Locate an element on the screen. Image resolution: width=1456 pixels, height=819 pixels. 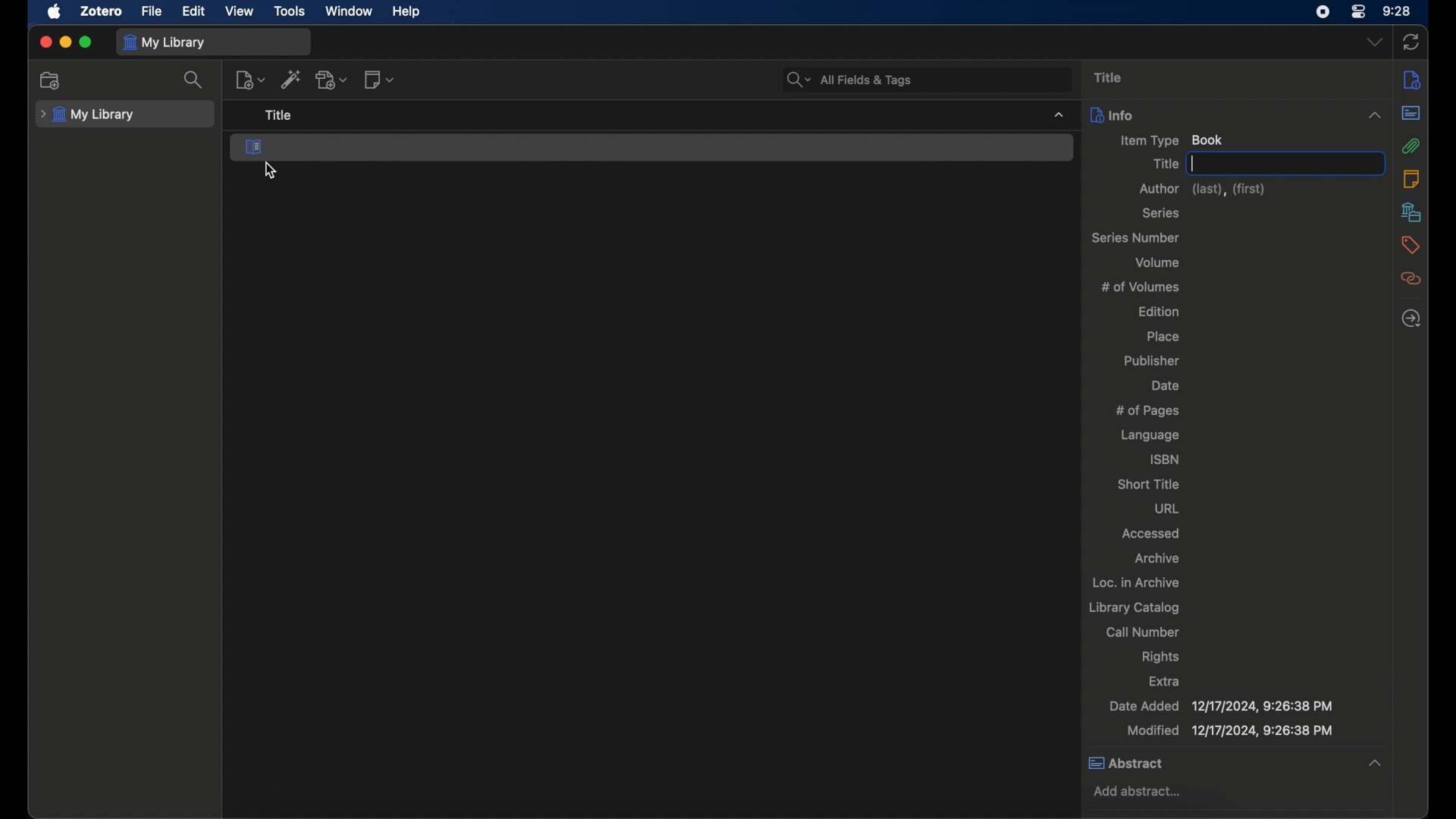
place is located at coordinates (1164, 337).